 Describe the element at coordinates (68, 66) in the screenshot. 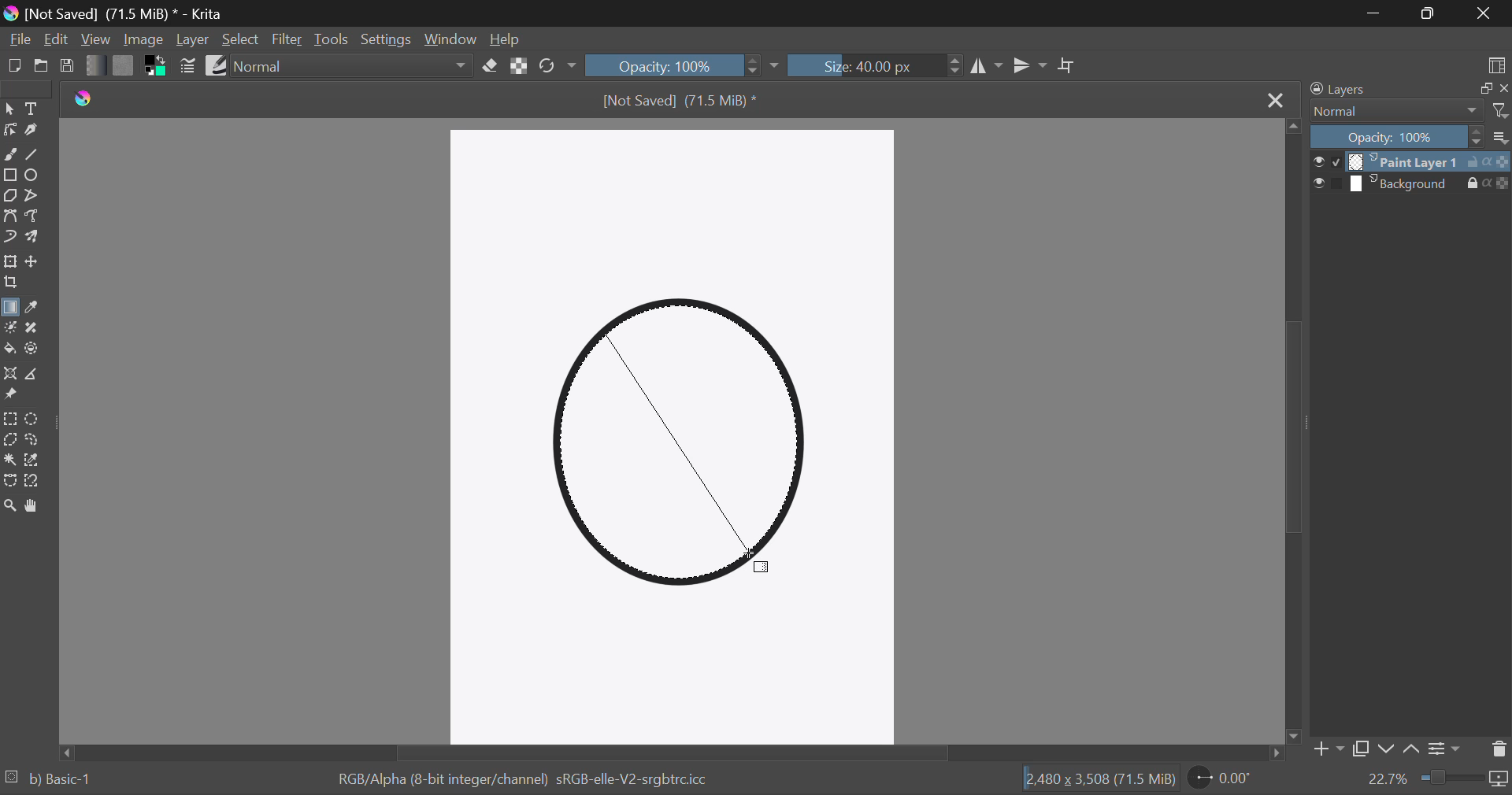

I see `Save` at that location.